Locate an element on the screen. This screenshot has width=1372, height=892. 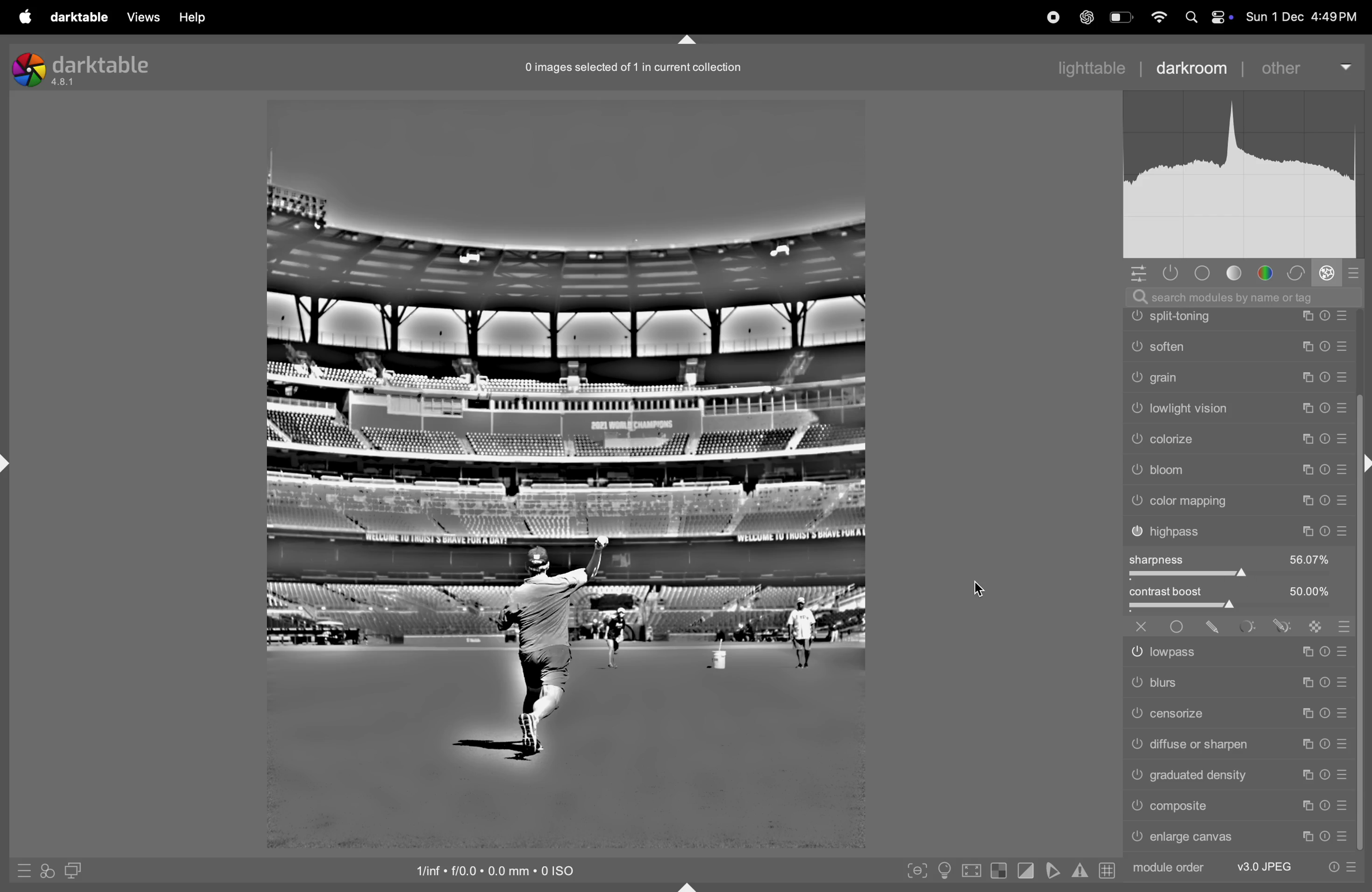
presets is located at coordinates (1352, 275).